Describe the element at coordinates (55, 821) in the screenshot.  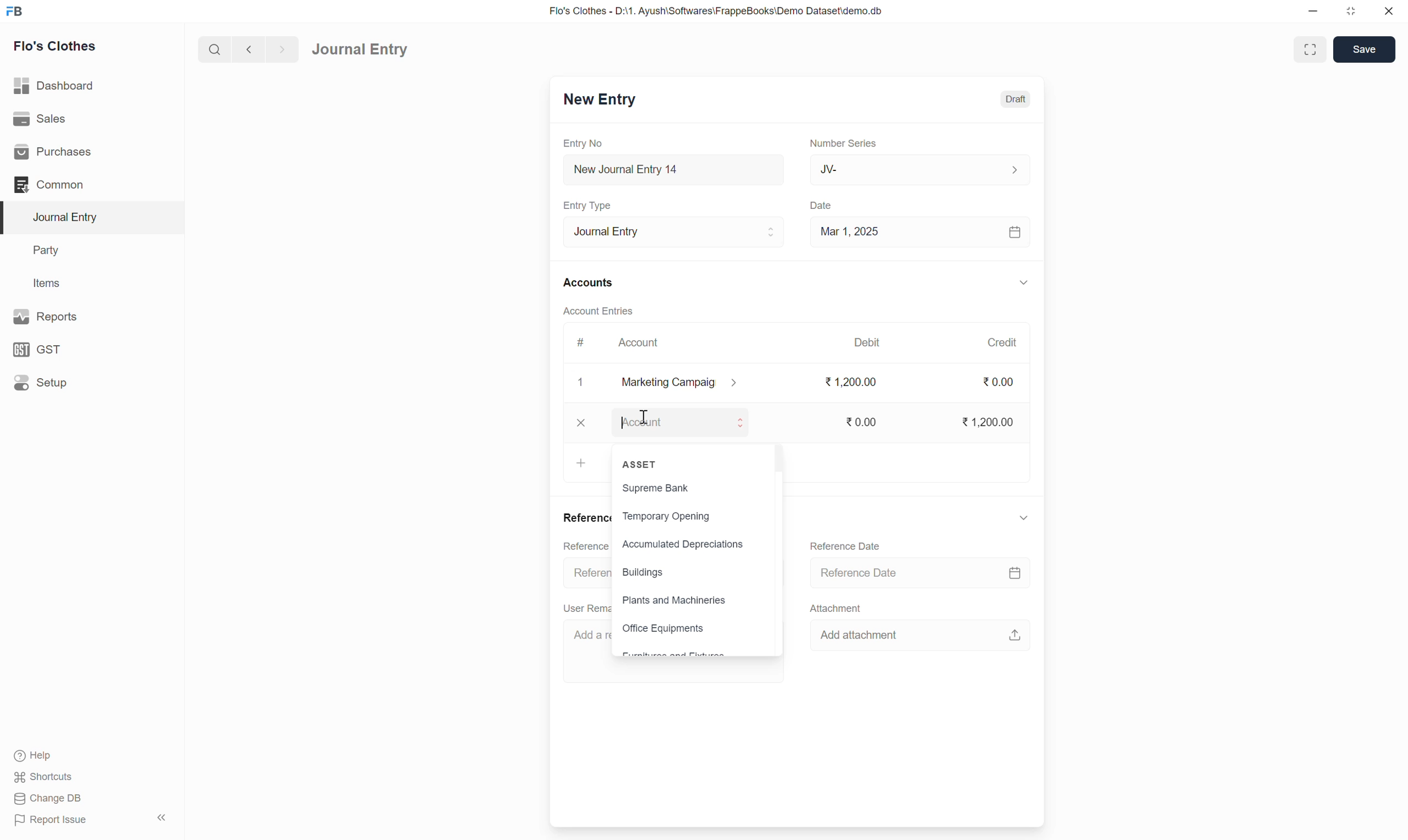
I see `Report Issue` at that location.